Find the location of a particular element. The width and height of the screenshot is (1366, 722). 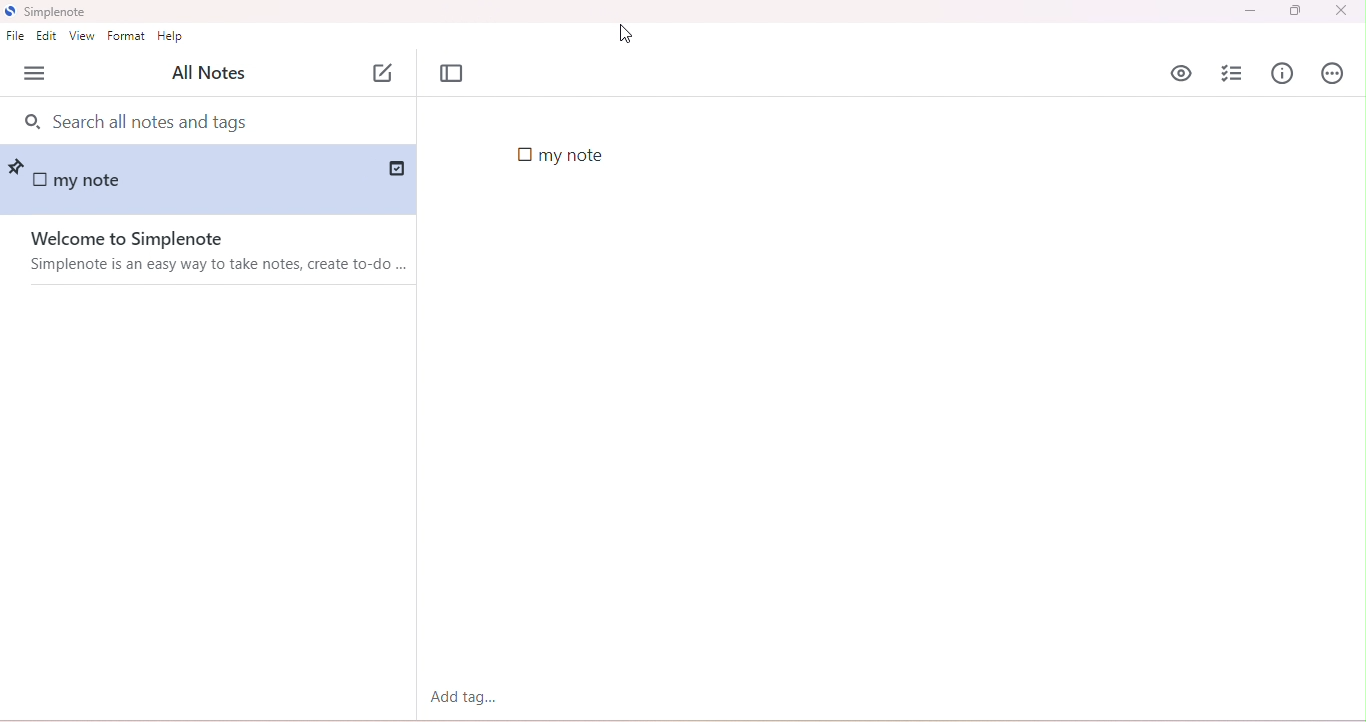

saved is located at coordinates (394, 167).